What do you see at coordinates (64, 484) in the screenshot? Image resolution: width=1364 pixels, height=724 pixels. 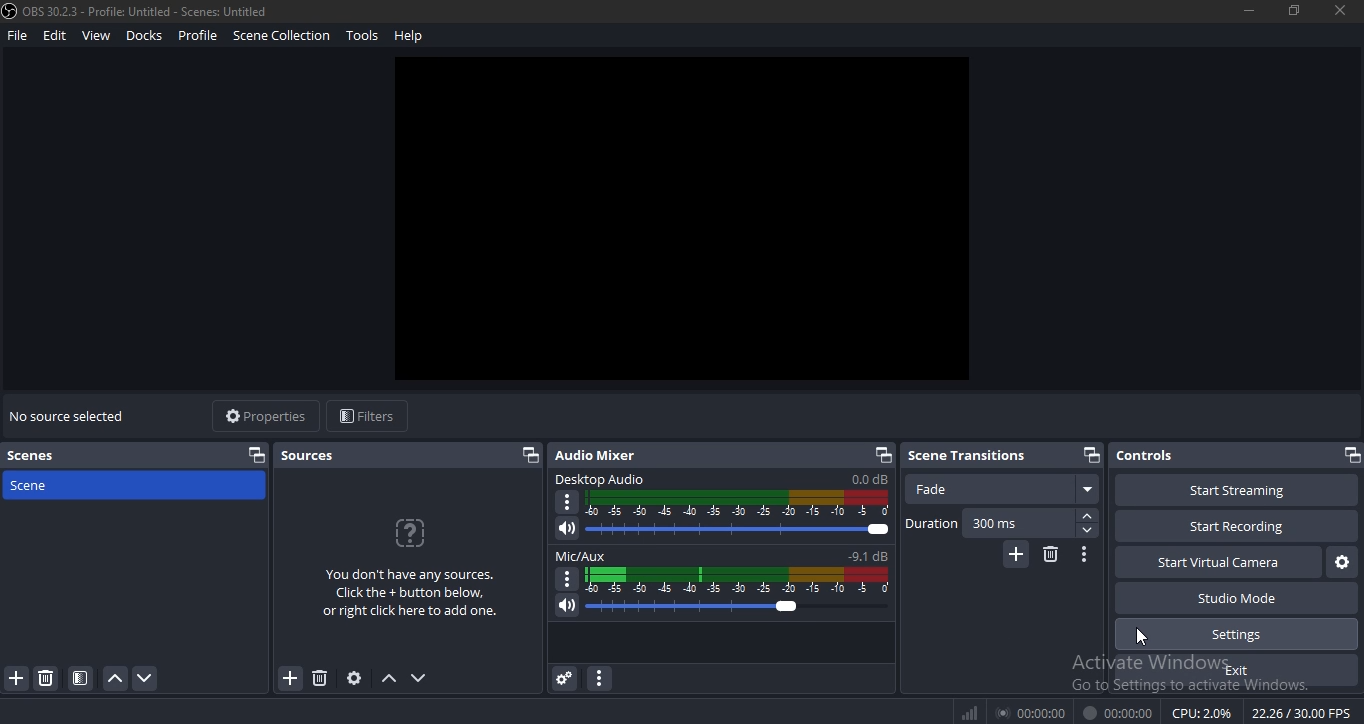 I see `scene` at bounding box center [64, 484].